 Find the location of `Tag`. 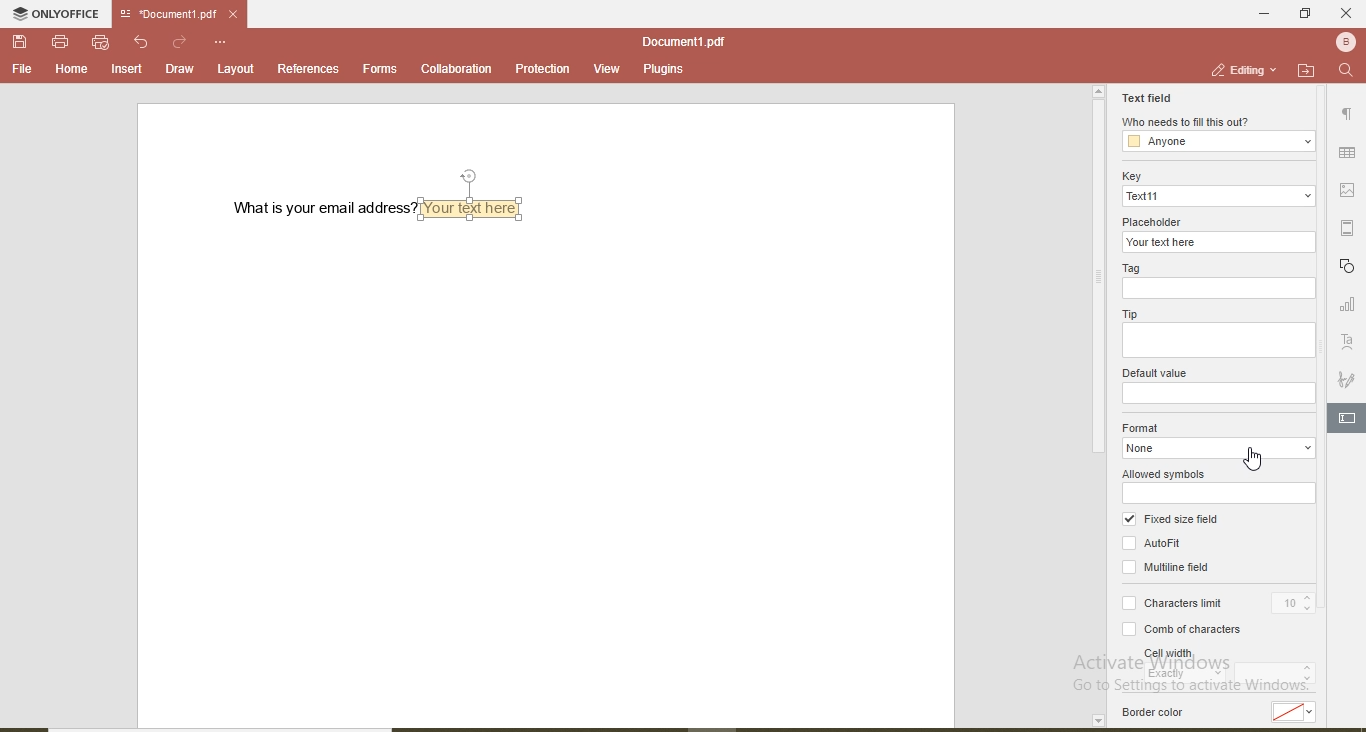

Tag is located at coordinates (1136, 267).